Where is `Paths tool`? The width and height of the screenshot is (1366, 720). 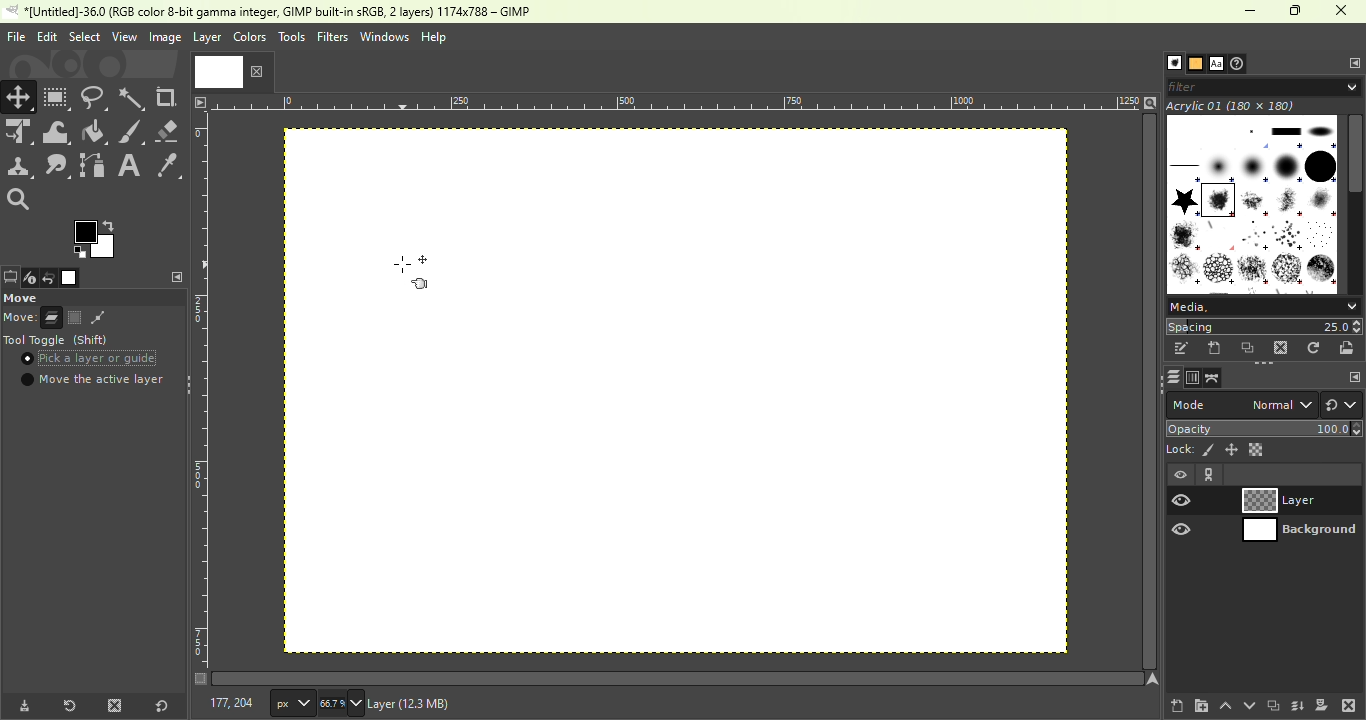
Paths tool is located at coordinates (93, 165).